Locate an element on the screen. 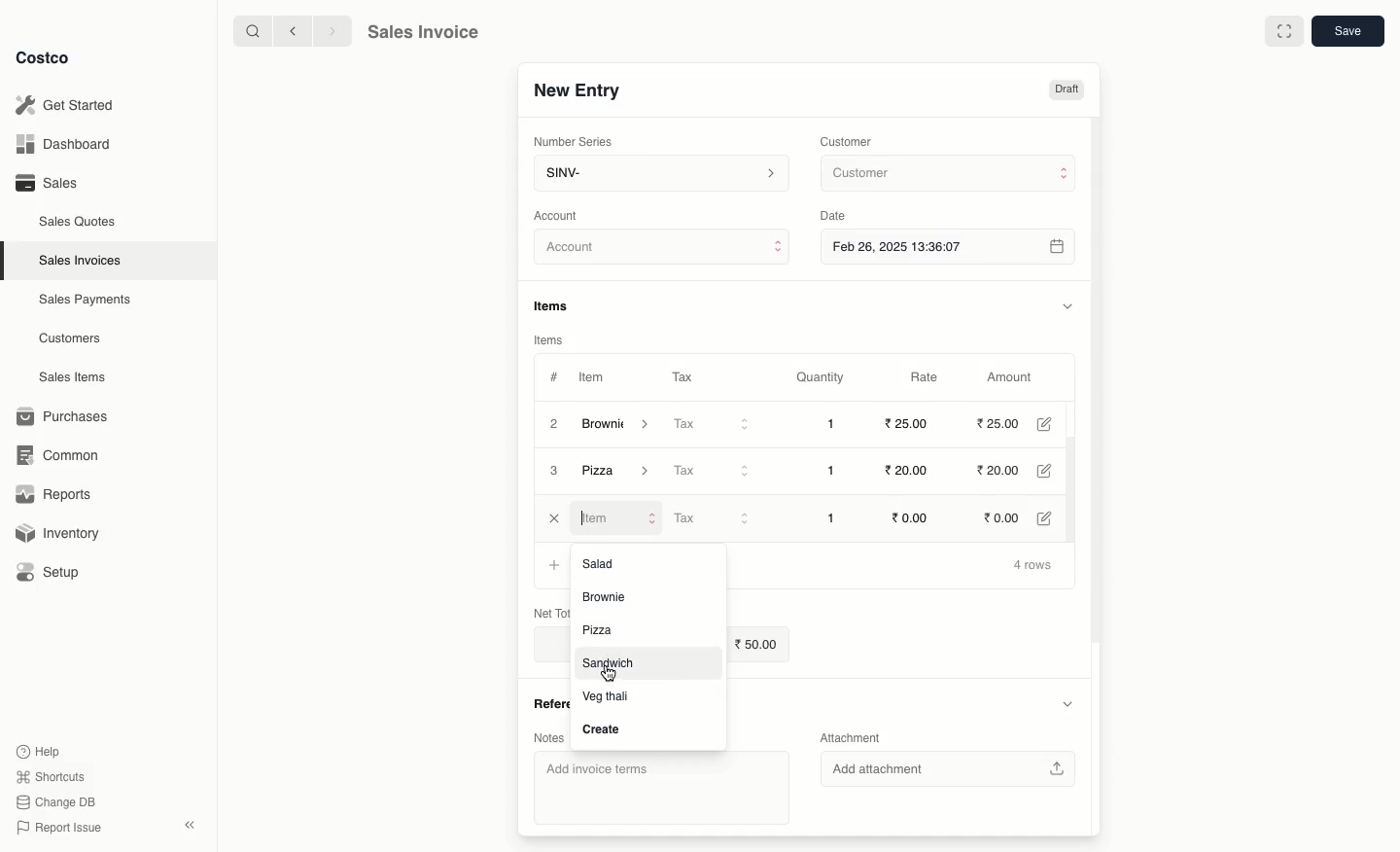  Collapse is located at coordinates (192, 826).